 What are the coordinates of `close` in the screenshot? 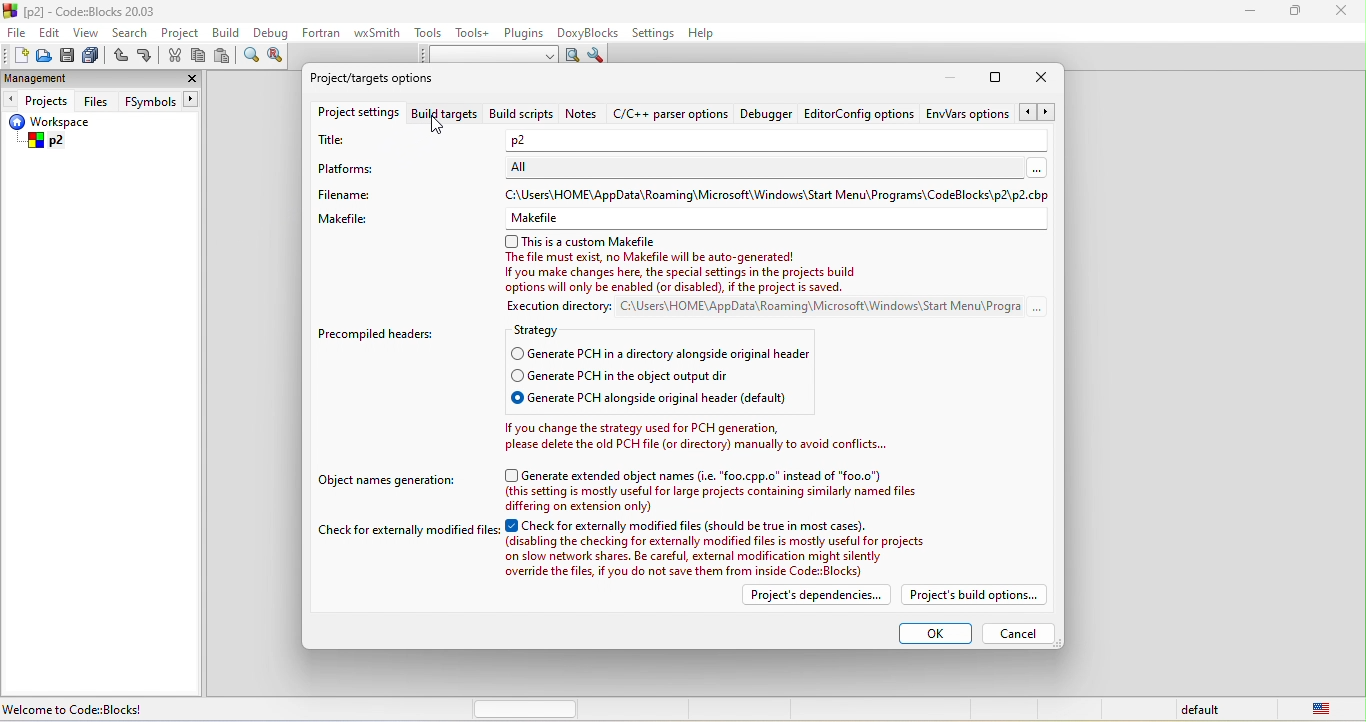 It's located at (1044, 80).